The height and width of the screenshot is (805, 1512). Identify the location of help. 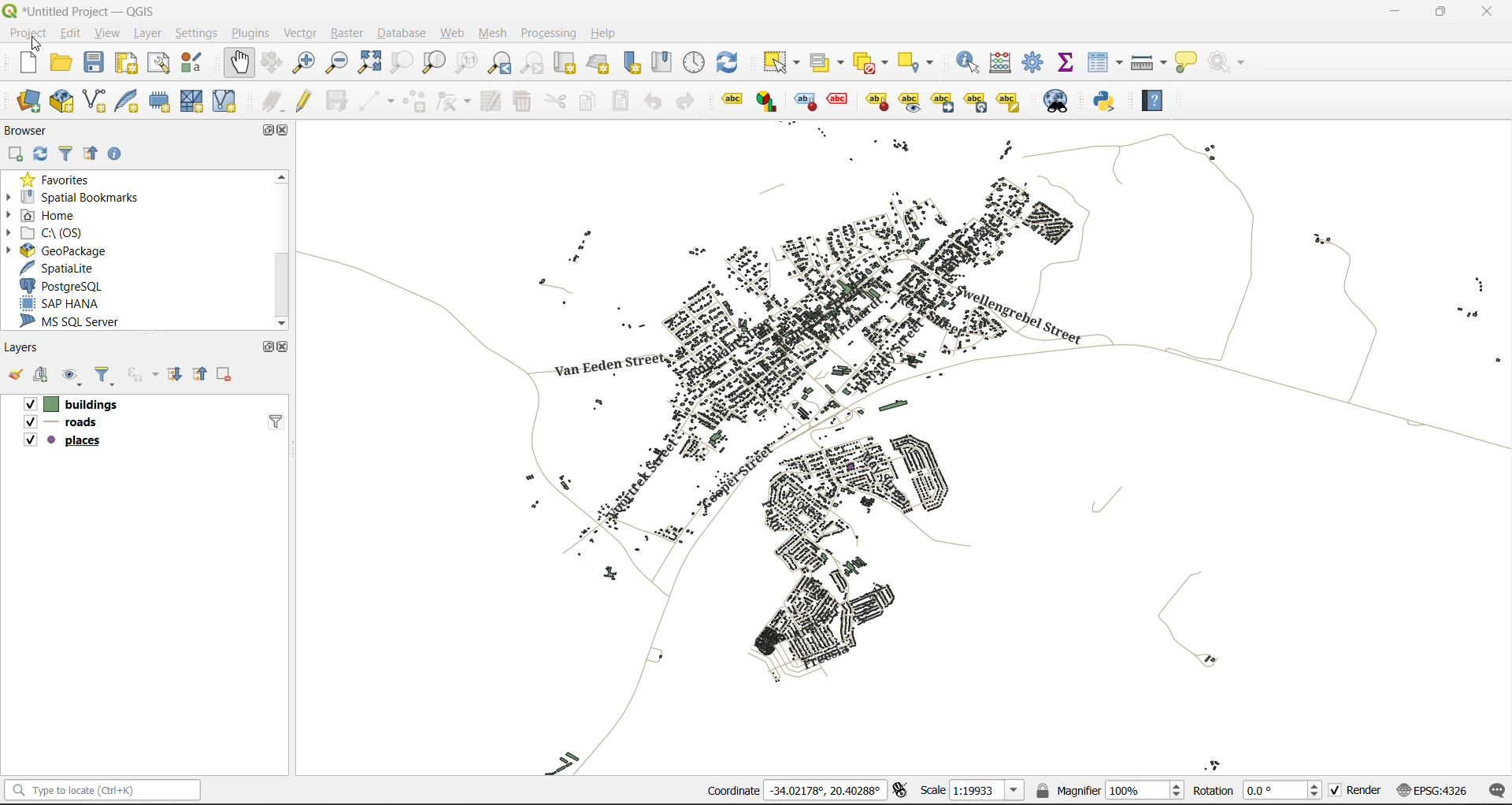
(1159, 100).